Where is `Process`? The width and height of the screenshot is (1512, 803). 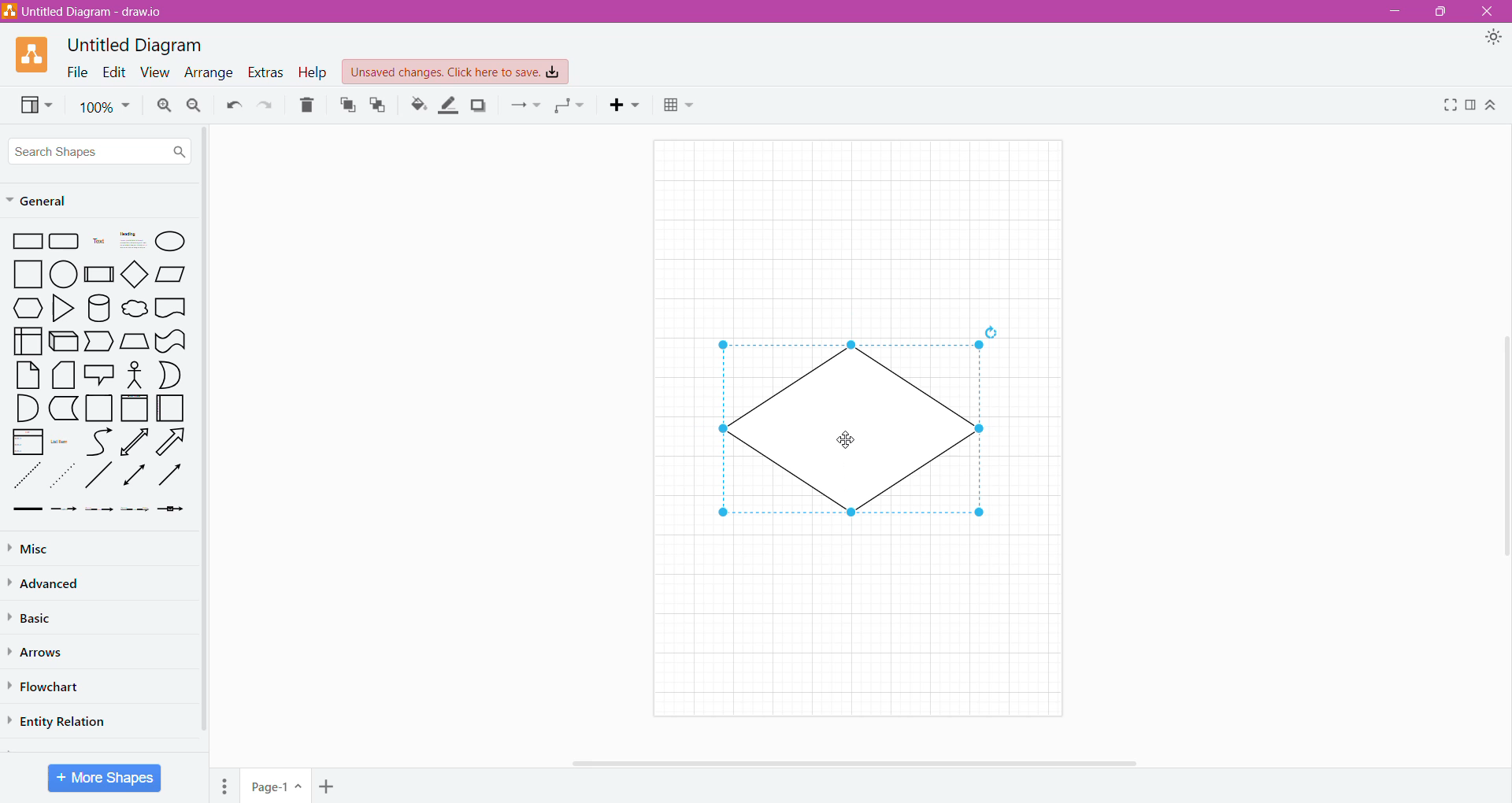
Process is located at coordinates (100, 273).